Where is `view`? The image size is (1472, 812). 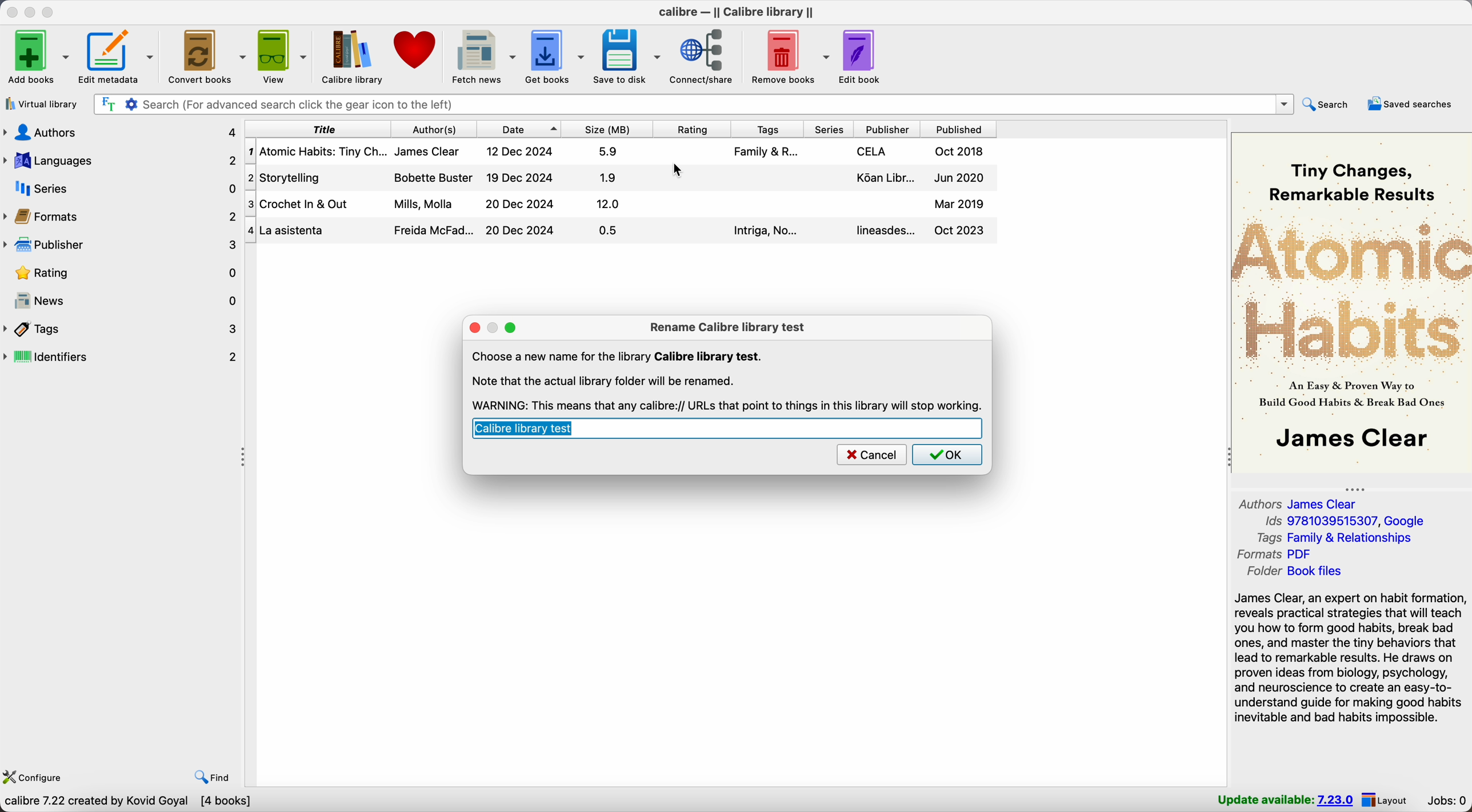 view is located at coordinates (283, 57).